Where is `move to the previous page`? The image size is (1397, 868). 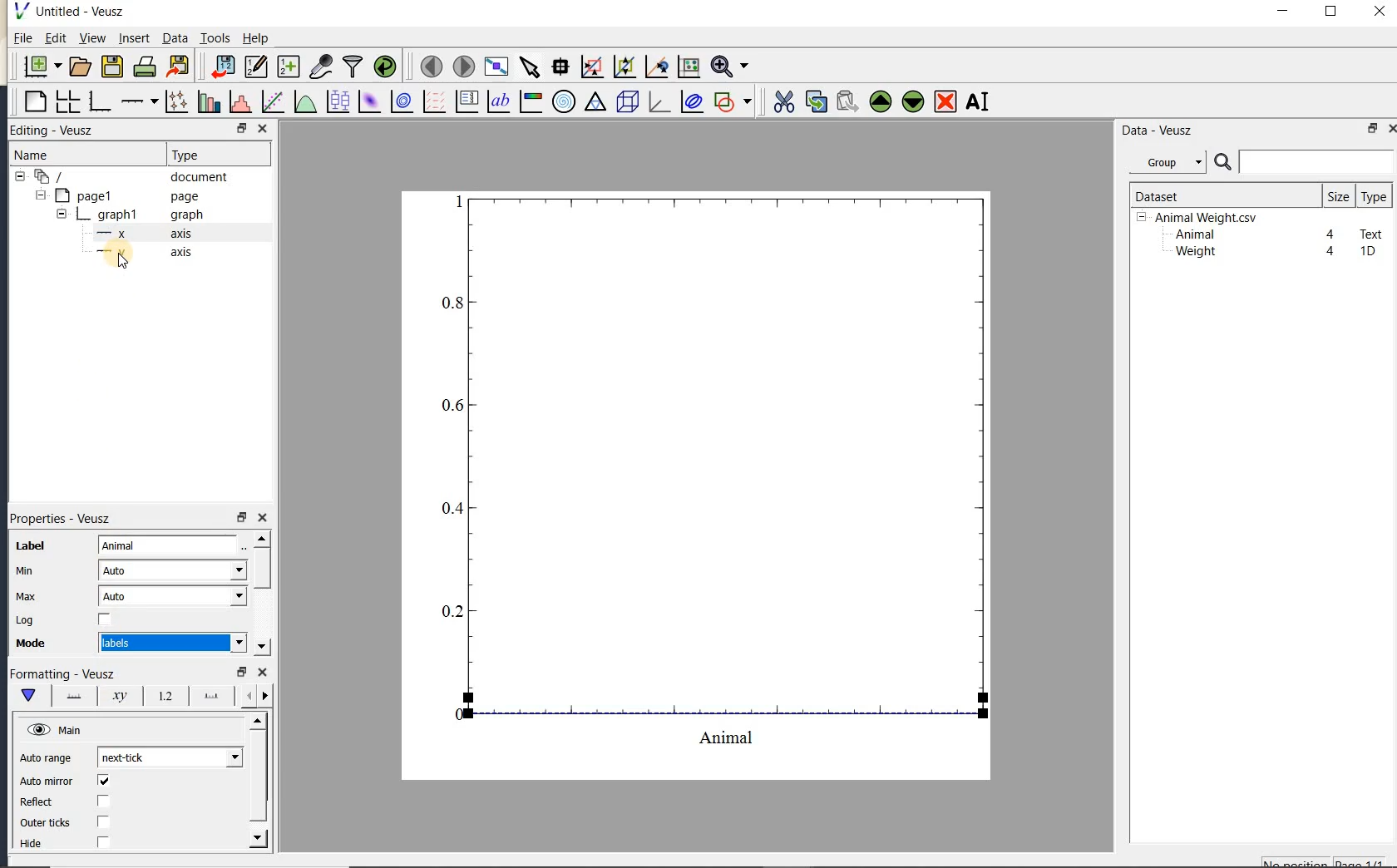 move to the previous page is located at coordinates (428, 65).